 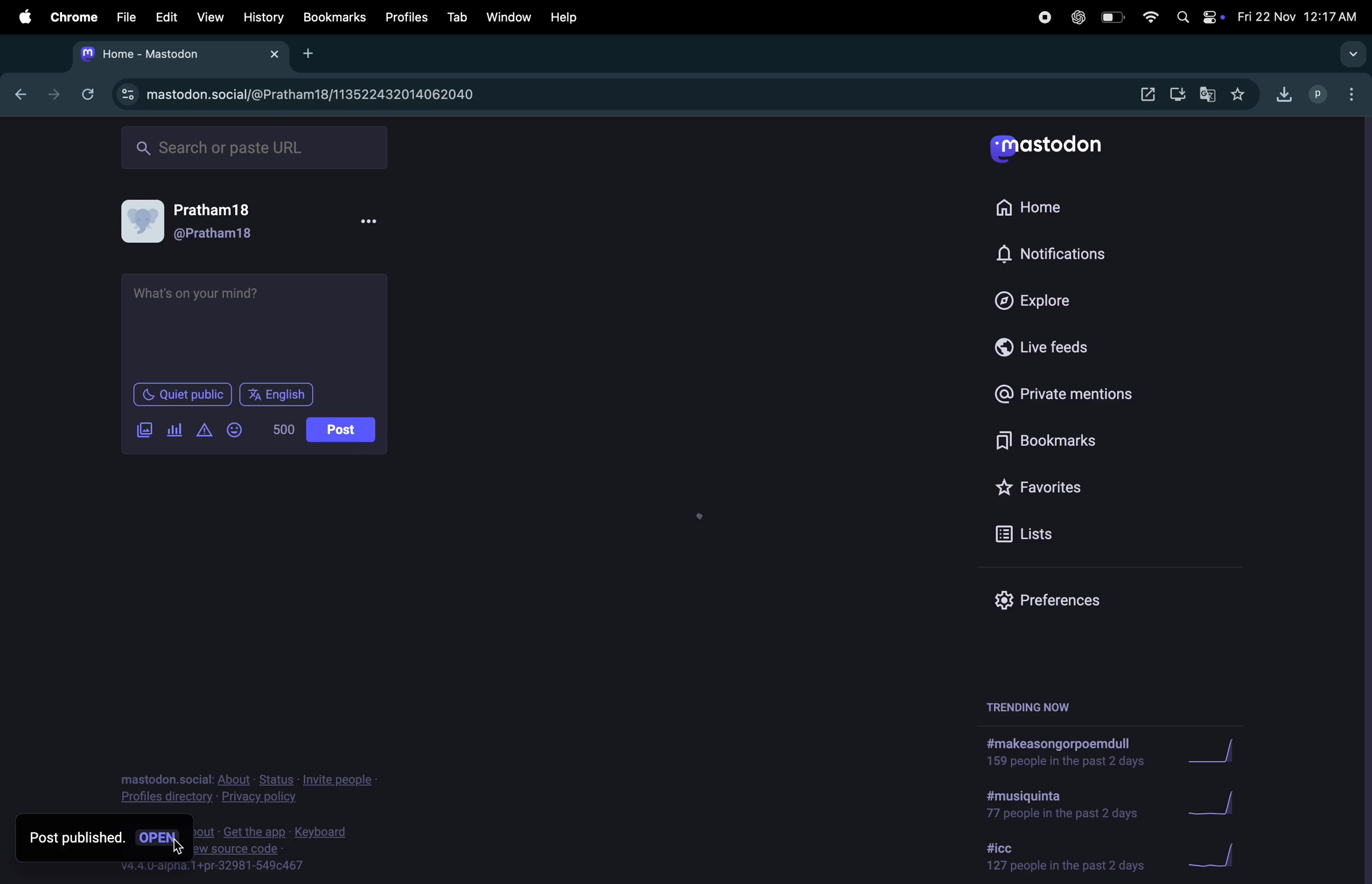 I want to click on wifi, so click(x=1148, y=18).